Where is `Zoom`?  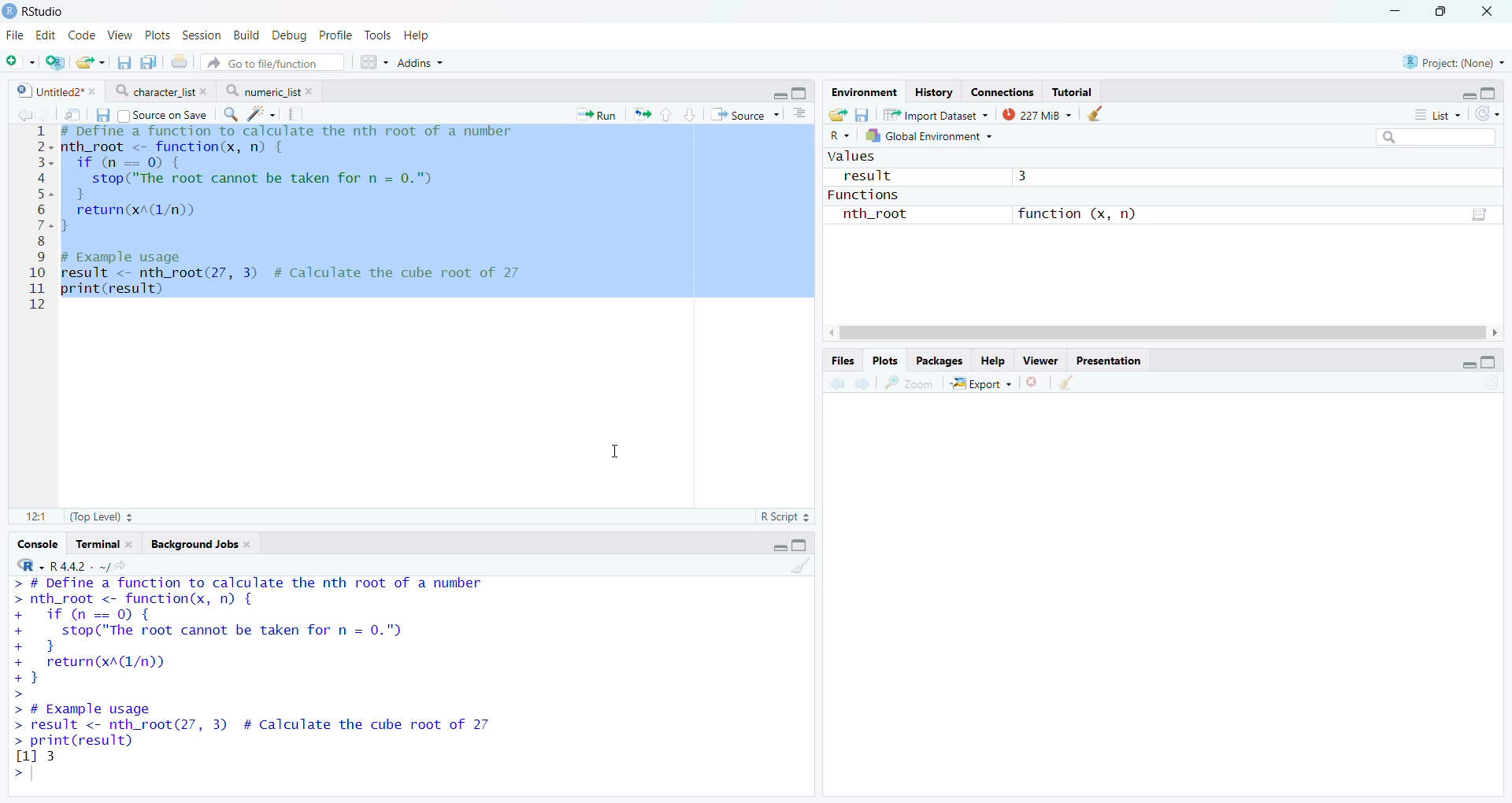 Zoom is located at coordinates (913, 383).